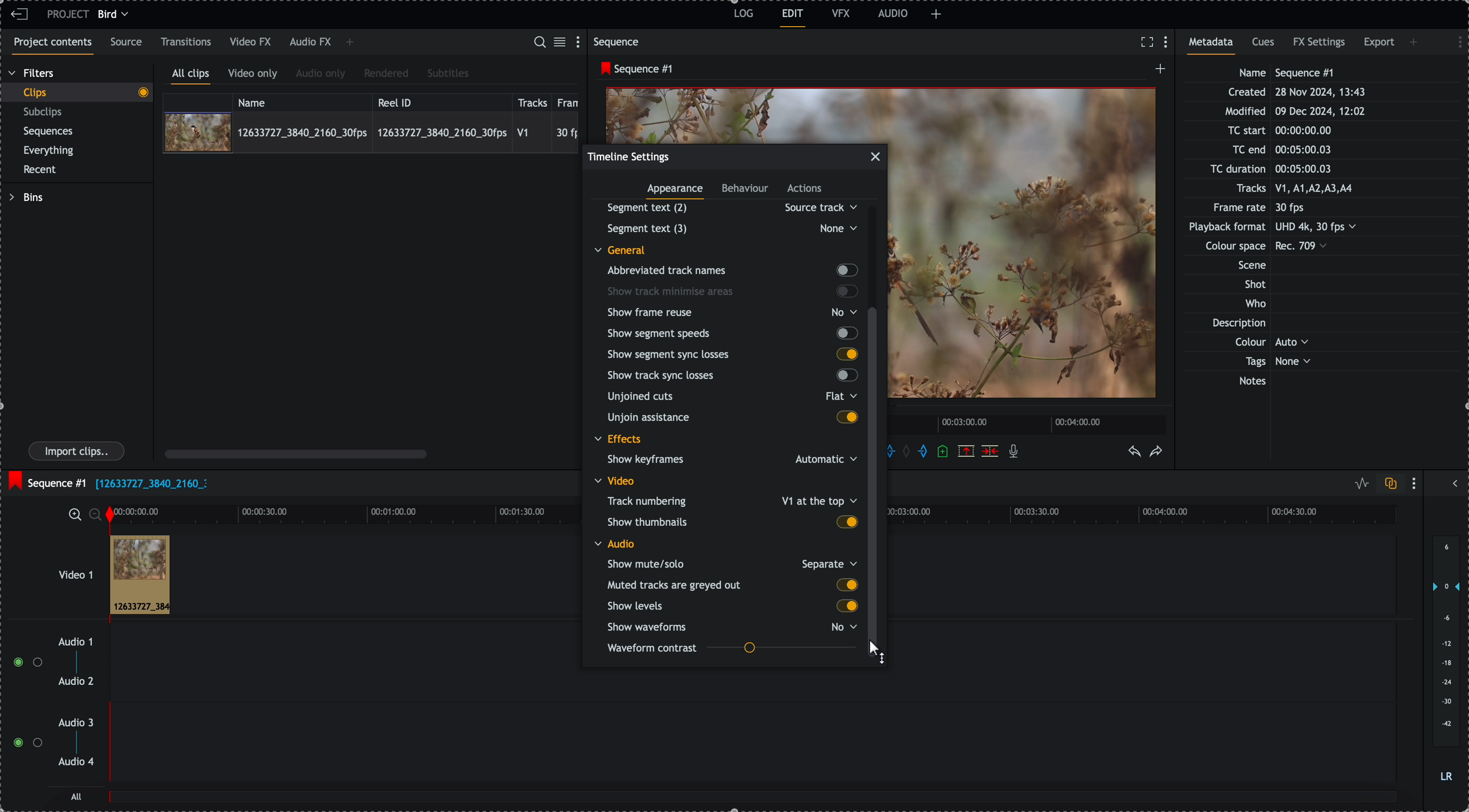 This screenshot has height=812, width=1469. Describe the element at coordinates (60, 569) in the screenshot. I see `video 1` at that location.